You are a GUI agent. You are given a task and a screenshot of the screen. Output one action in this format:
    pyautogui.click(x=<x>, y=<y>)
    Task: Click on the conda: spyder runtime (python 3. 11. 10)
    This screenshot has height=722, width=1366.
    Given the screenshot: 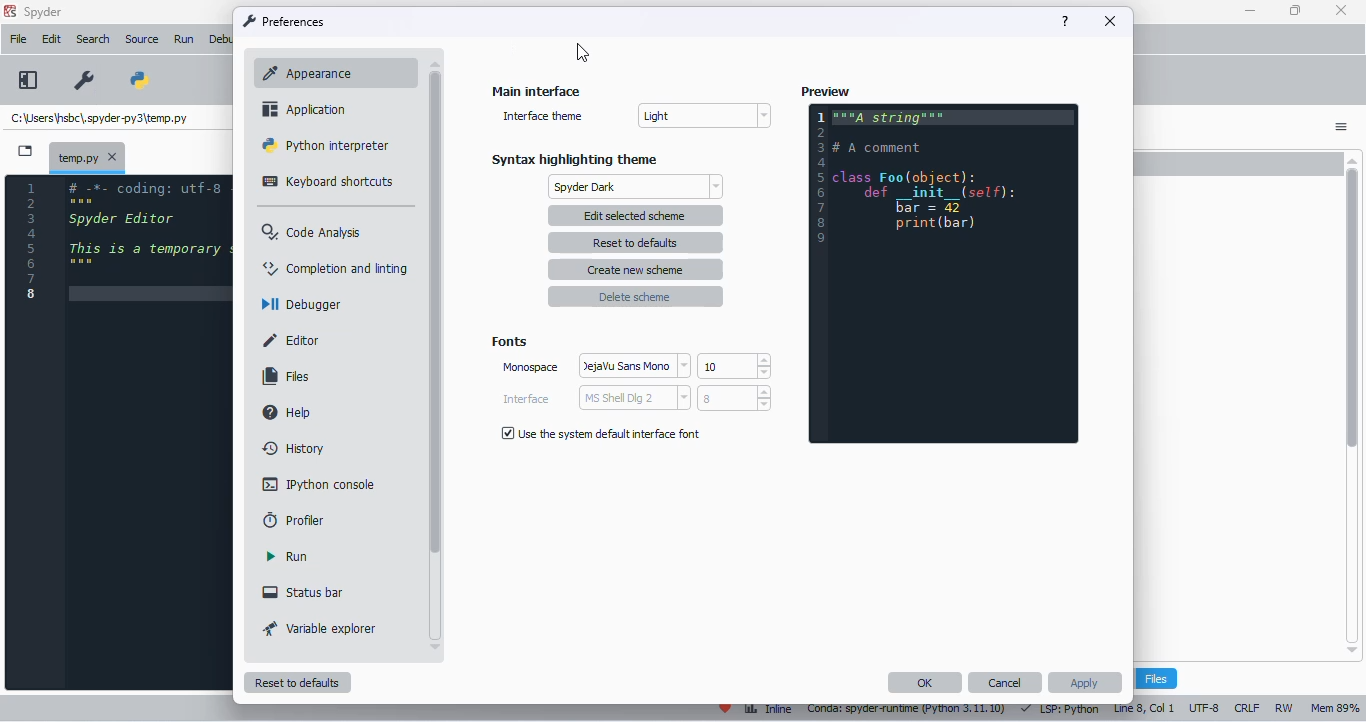 What is the action you would take?
    pyautogui.click(x=908, y=710)
    